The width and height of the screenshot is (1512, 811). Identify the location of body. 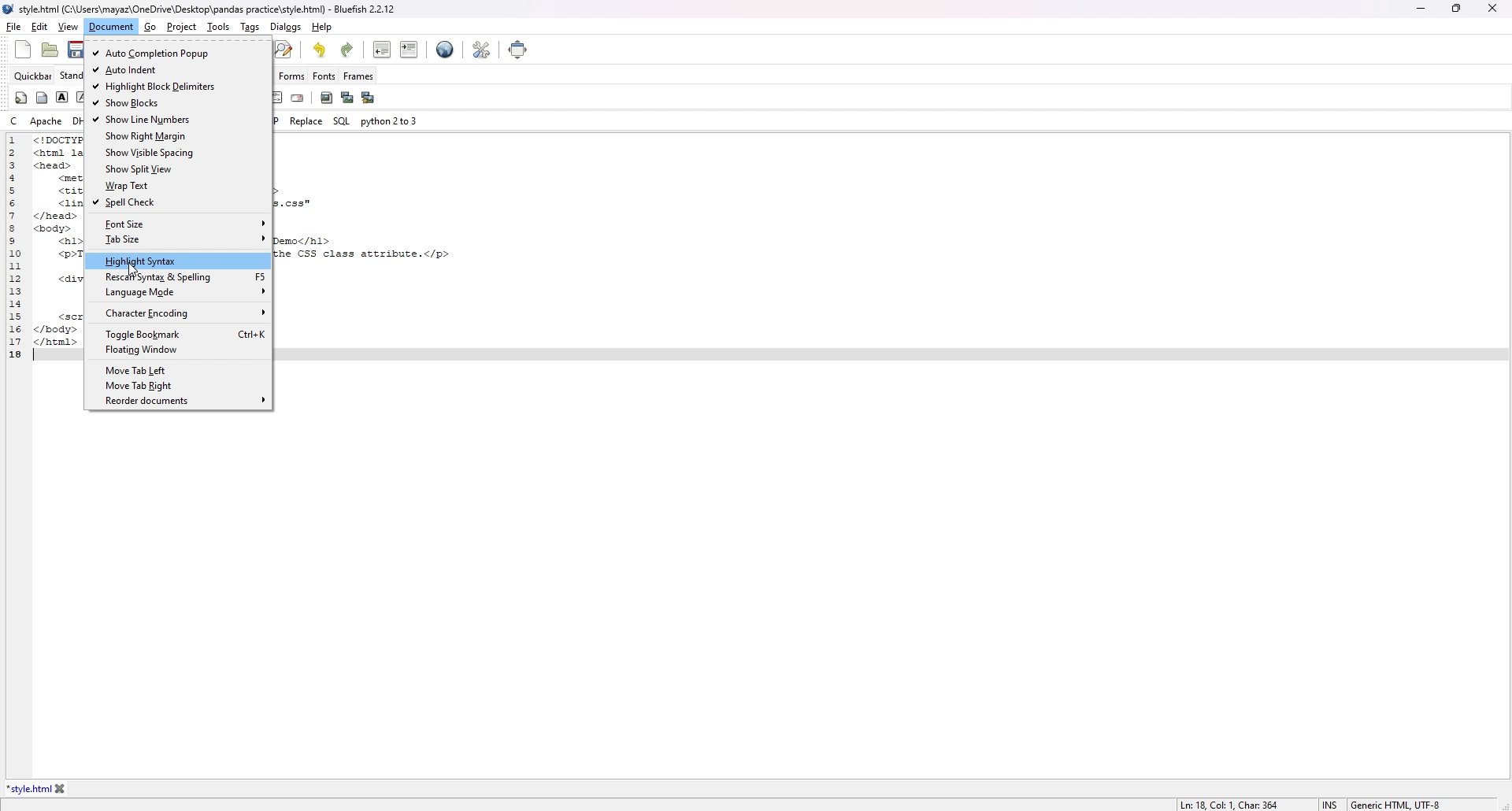
(42, 98).